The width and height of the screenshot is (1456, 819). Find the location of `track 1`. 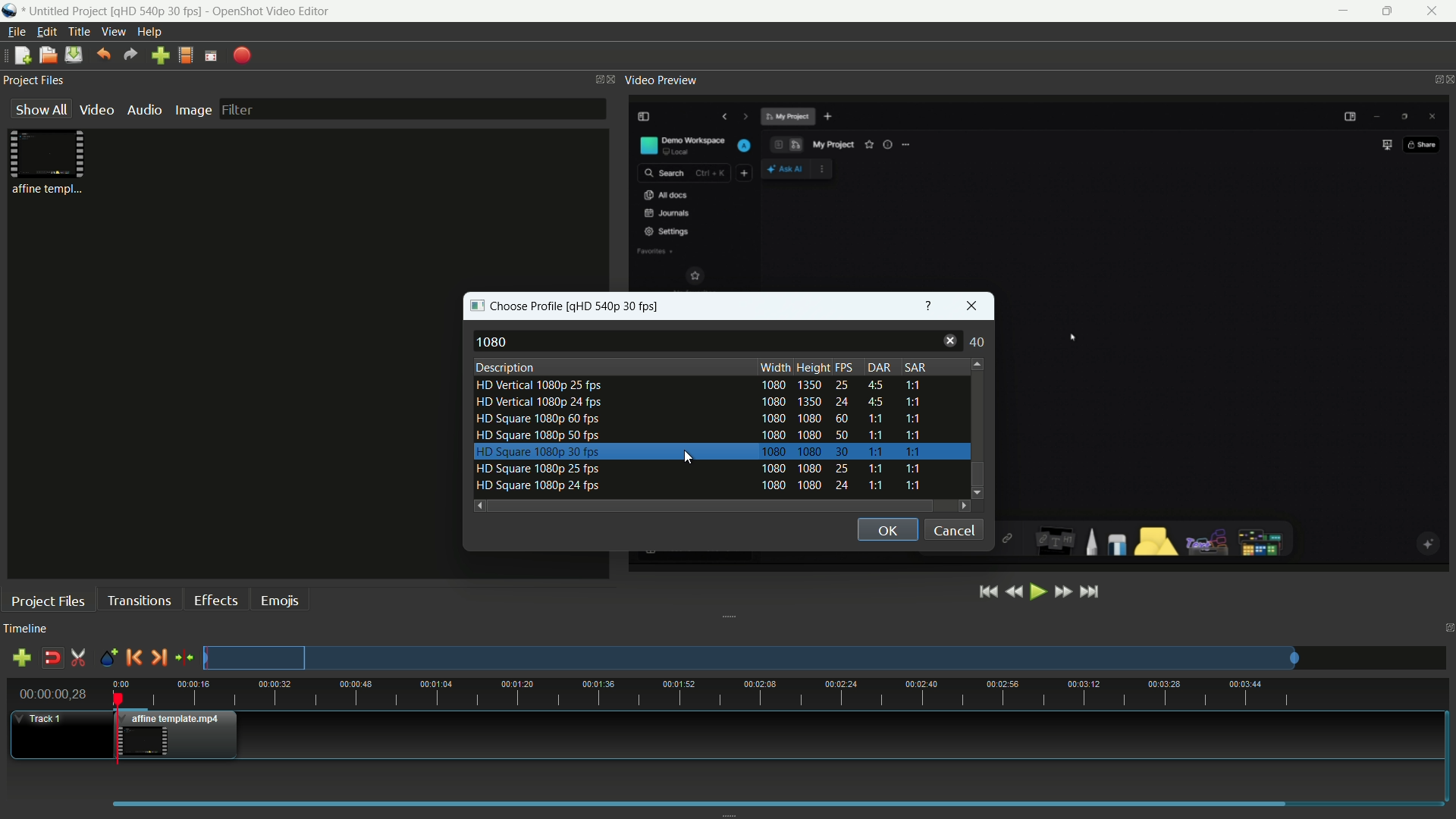

track 1 is located at coordinates (42, 719).